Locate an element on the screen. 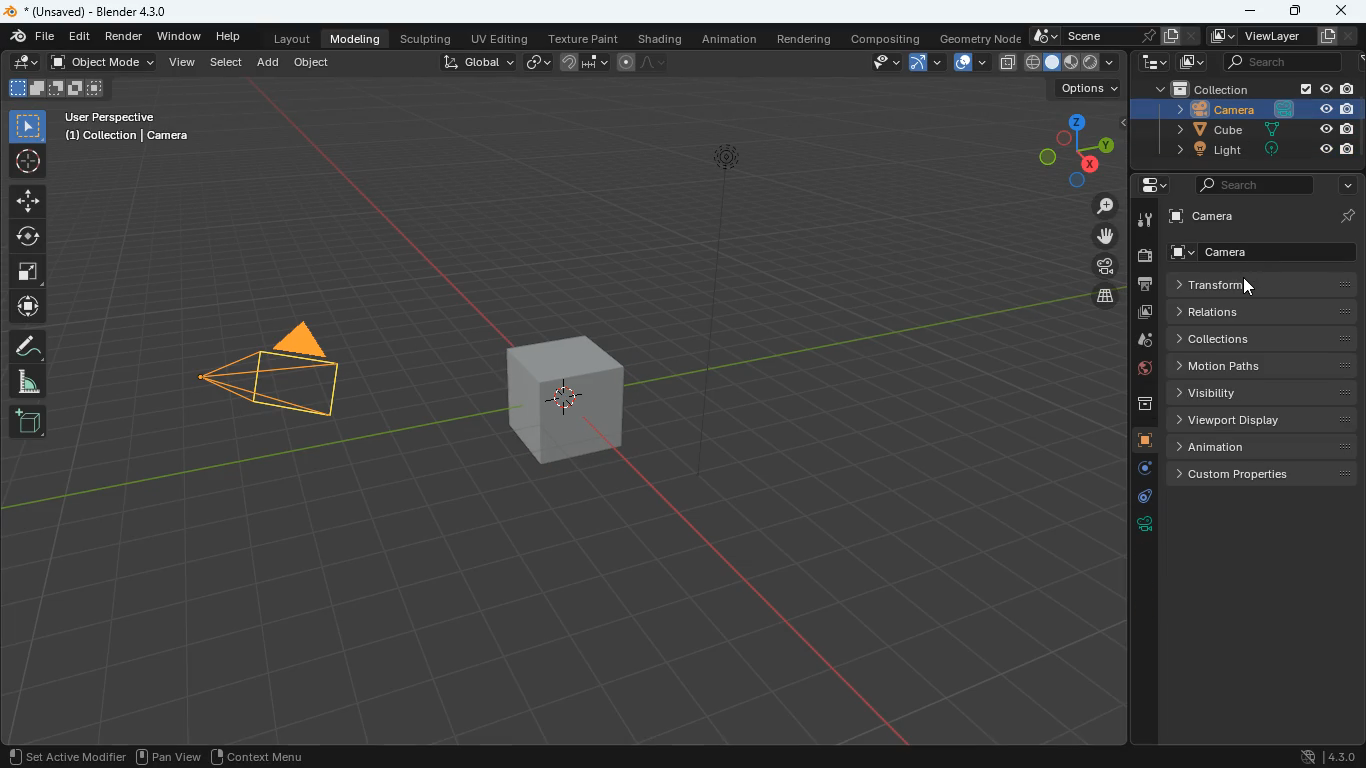  settings is located at coordinates (1147, 185).